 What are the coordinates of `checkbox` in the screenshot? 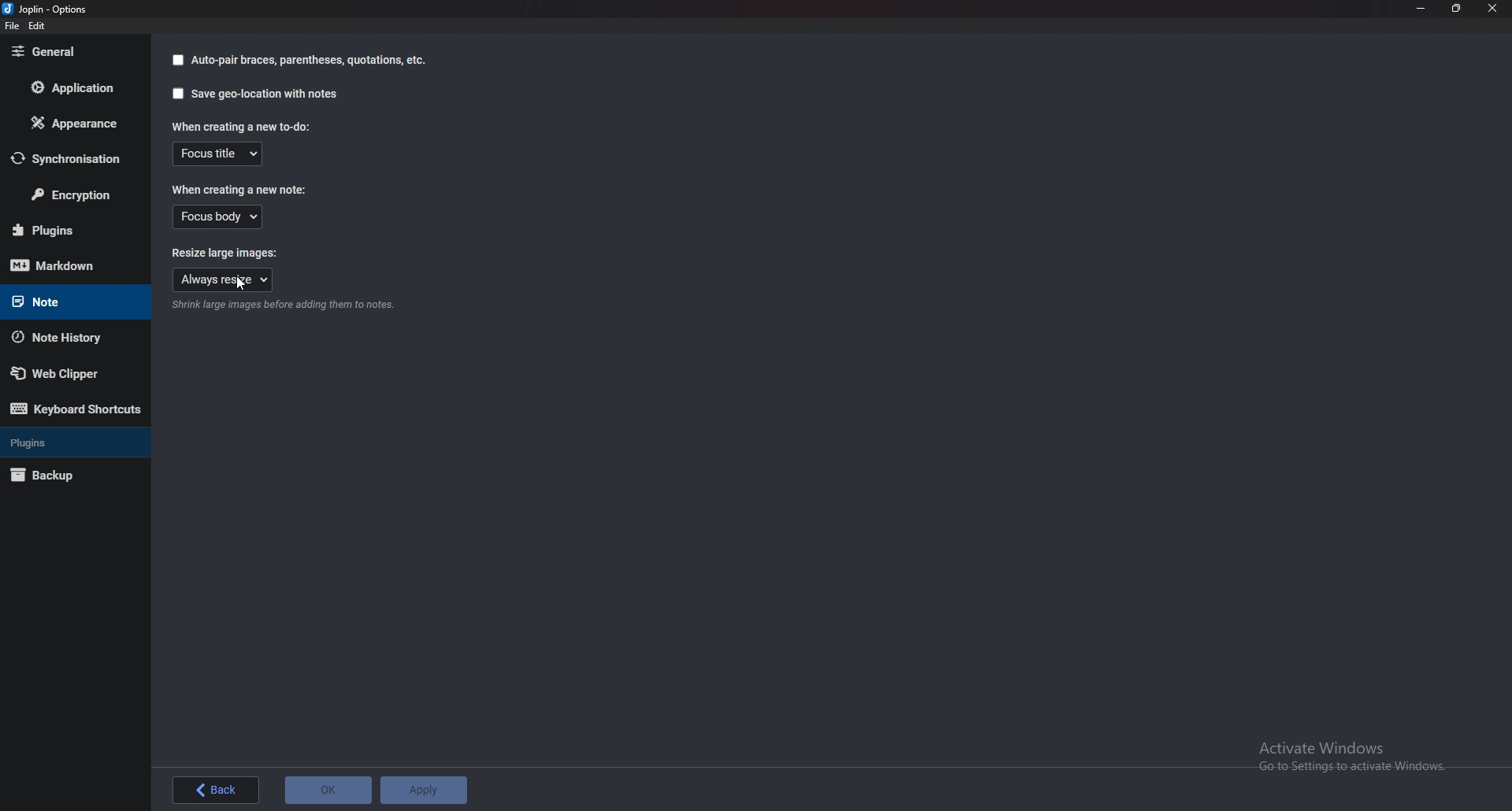 It's located at (177, 94).